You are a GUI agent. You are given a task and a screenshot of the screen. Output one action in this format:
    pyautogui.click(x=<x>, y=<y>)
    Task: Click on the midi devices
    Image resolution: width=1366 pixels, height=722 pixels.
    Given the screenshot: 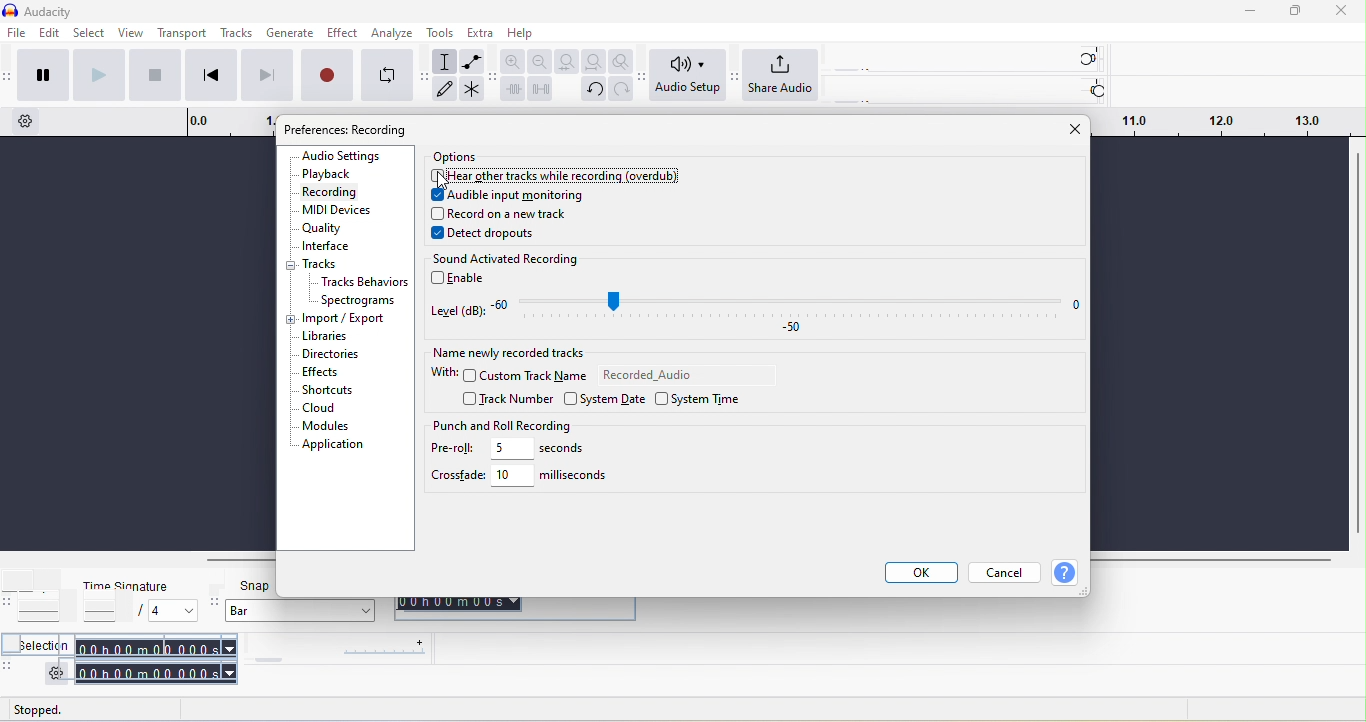 What is the action you would take?
    pyautogui.click(x=334, y=209)
    